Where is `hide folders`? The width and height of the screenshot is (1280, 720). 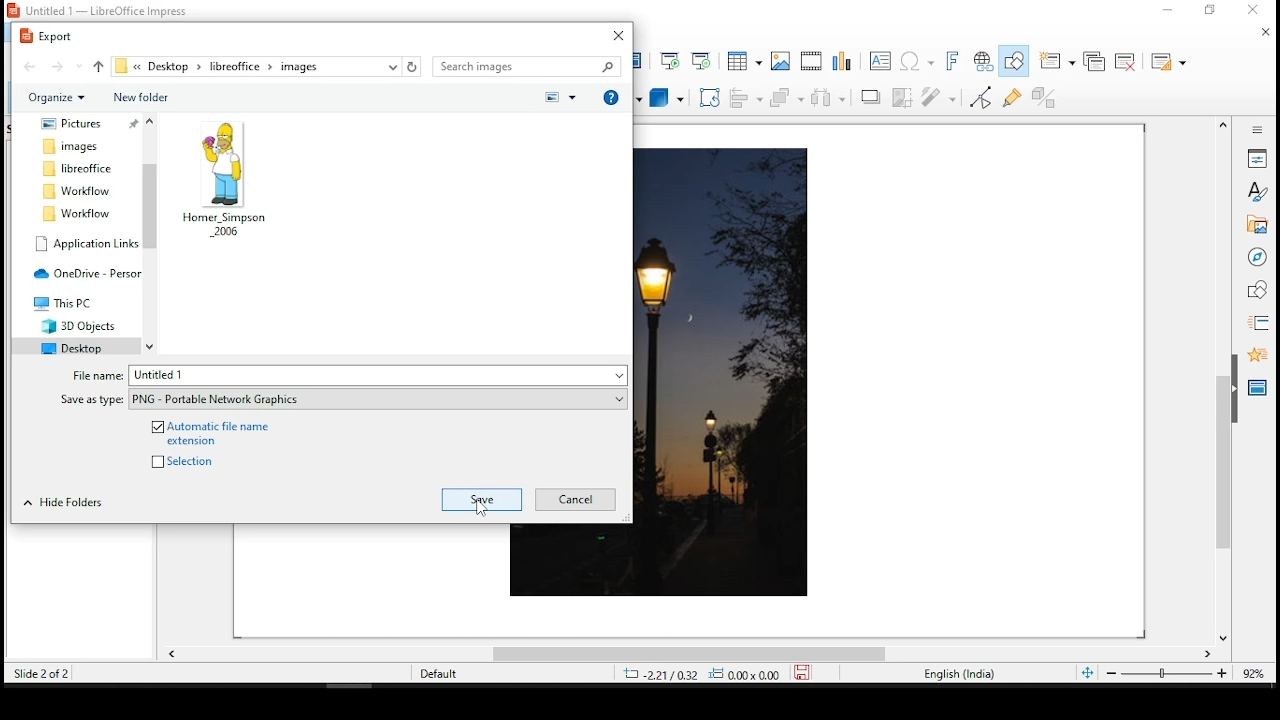 hide folders is located at coordinates (63, 503).